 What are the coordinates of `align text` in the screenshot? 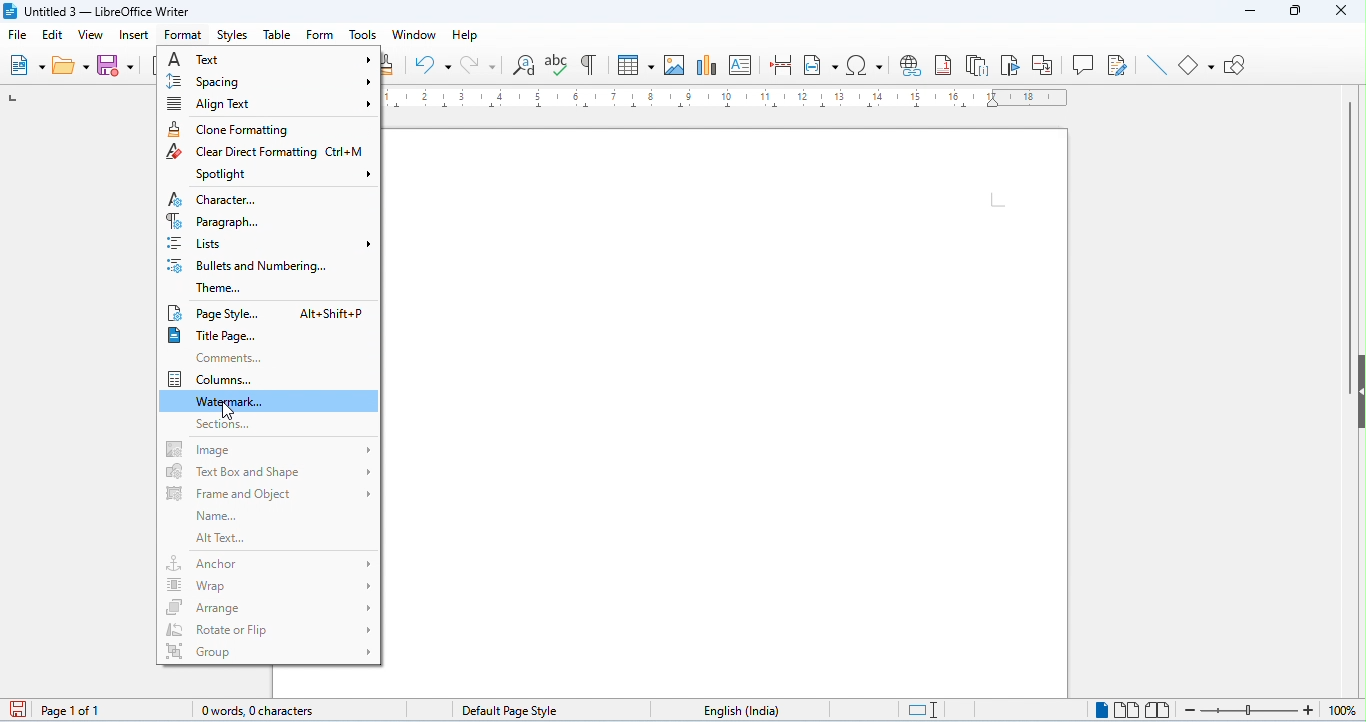 It's located at (271, 105).